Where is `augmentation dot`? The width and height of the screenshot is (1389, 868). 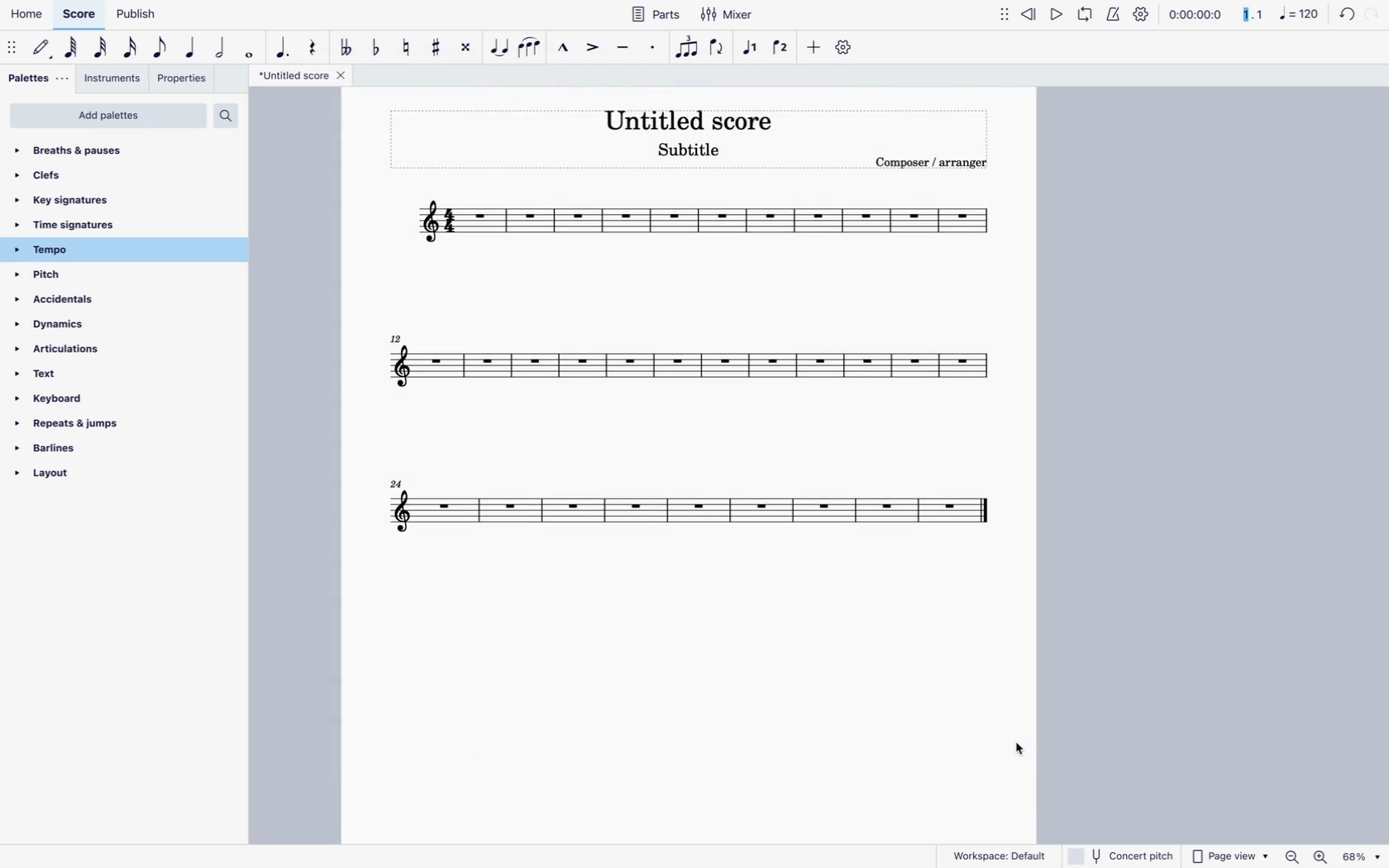 augmentation dot is located at coordinates (285, 49).